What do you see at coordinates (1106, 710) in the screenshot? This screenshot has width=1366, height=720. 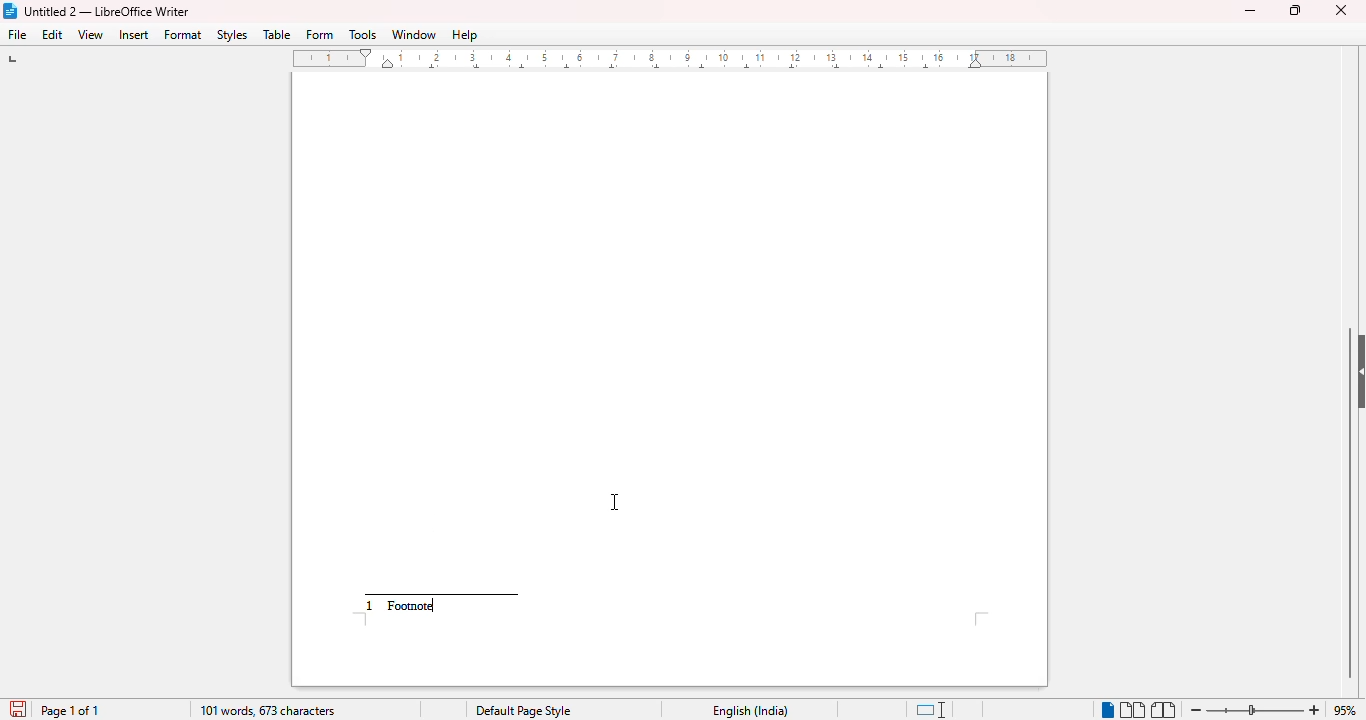 I see `single-page view` at bounding box center [1106, 710].